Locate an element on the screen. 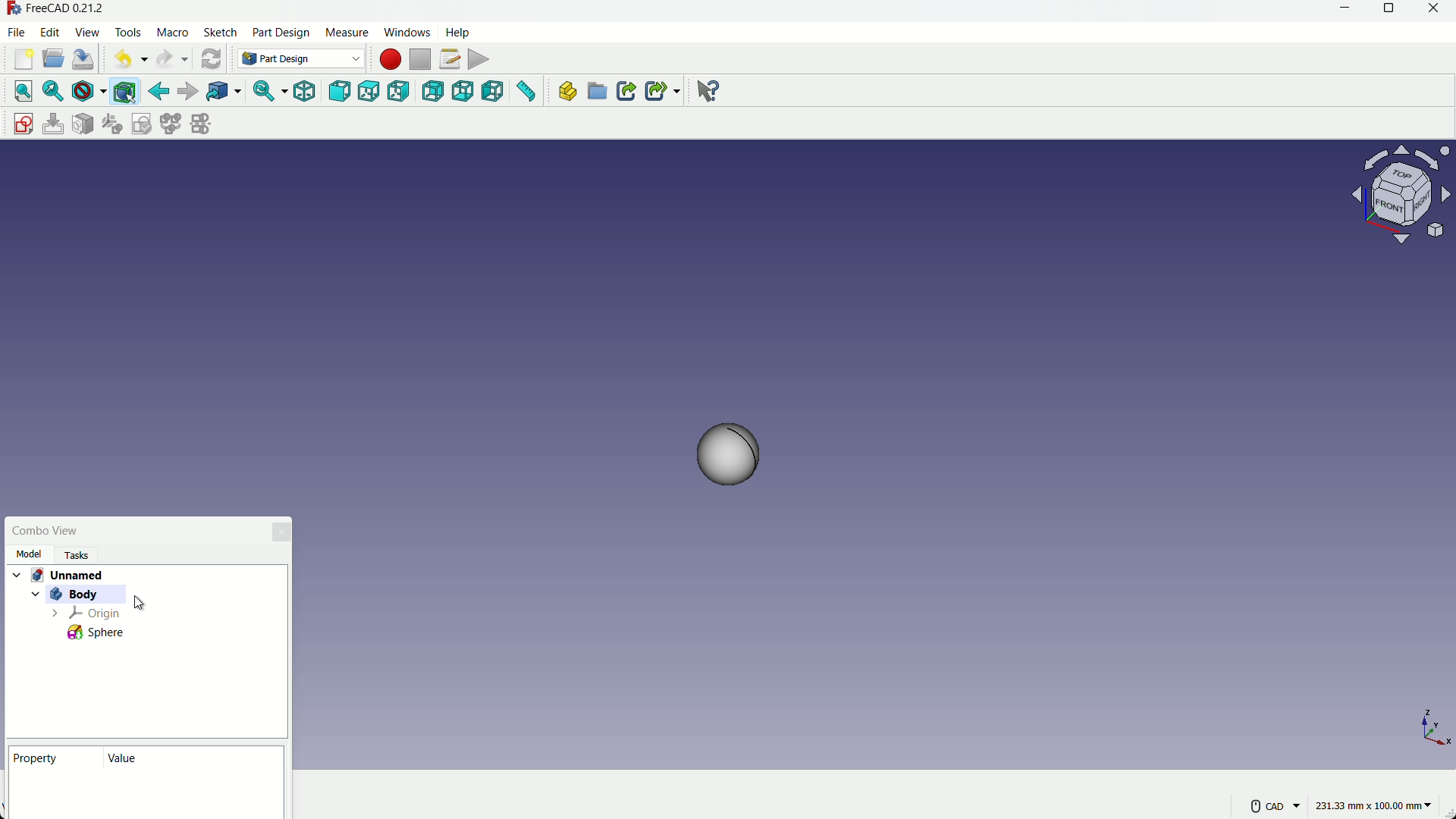 The height and width of the screenshot is (819, 1456). fit all is located at coordinates (24, 91).